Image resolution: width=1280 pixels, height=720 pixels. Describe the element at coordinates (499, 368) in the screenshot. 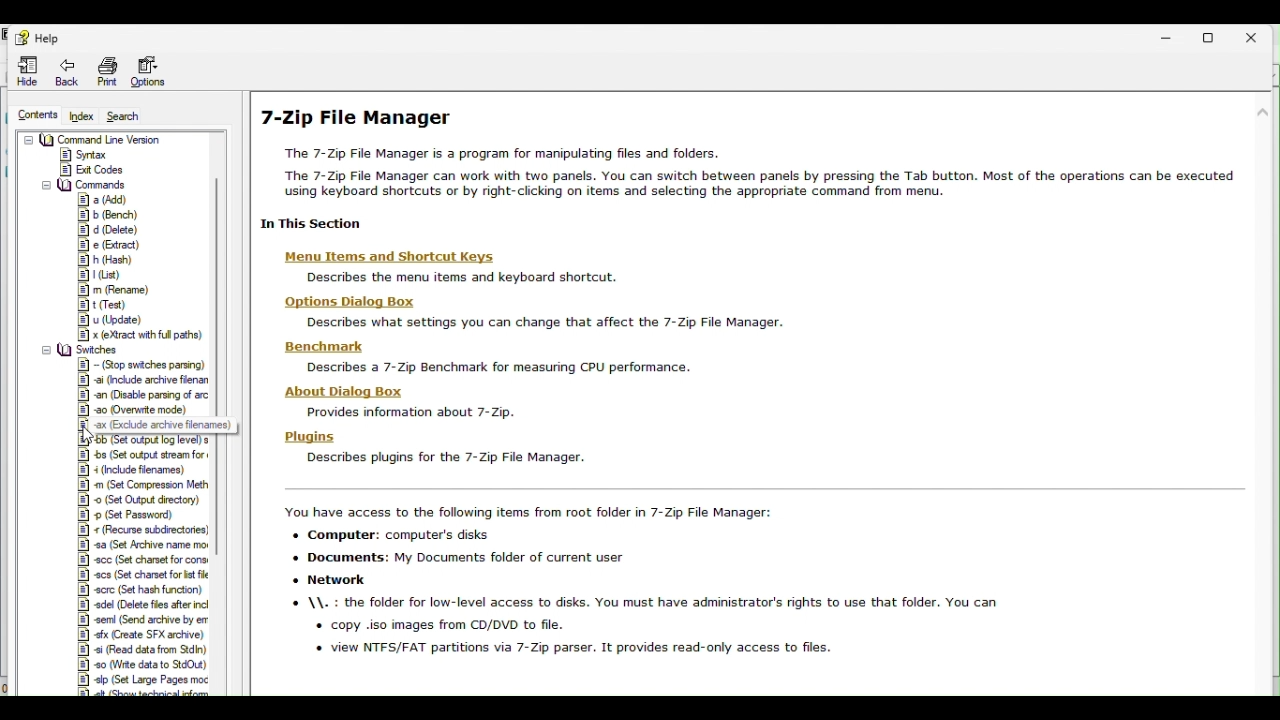

I see `Describes a 7-Zip Benchmark for measuring CPU performance.` at that location.